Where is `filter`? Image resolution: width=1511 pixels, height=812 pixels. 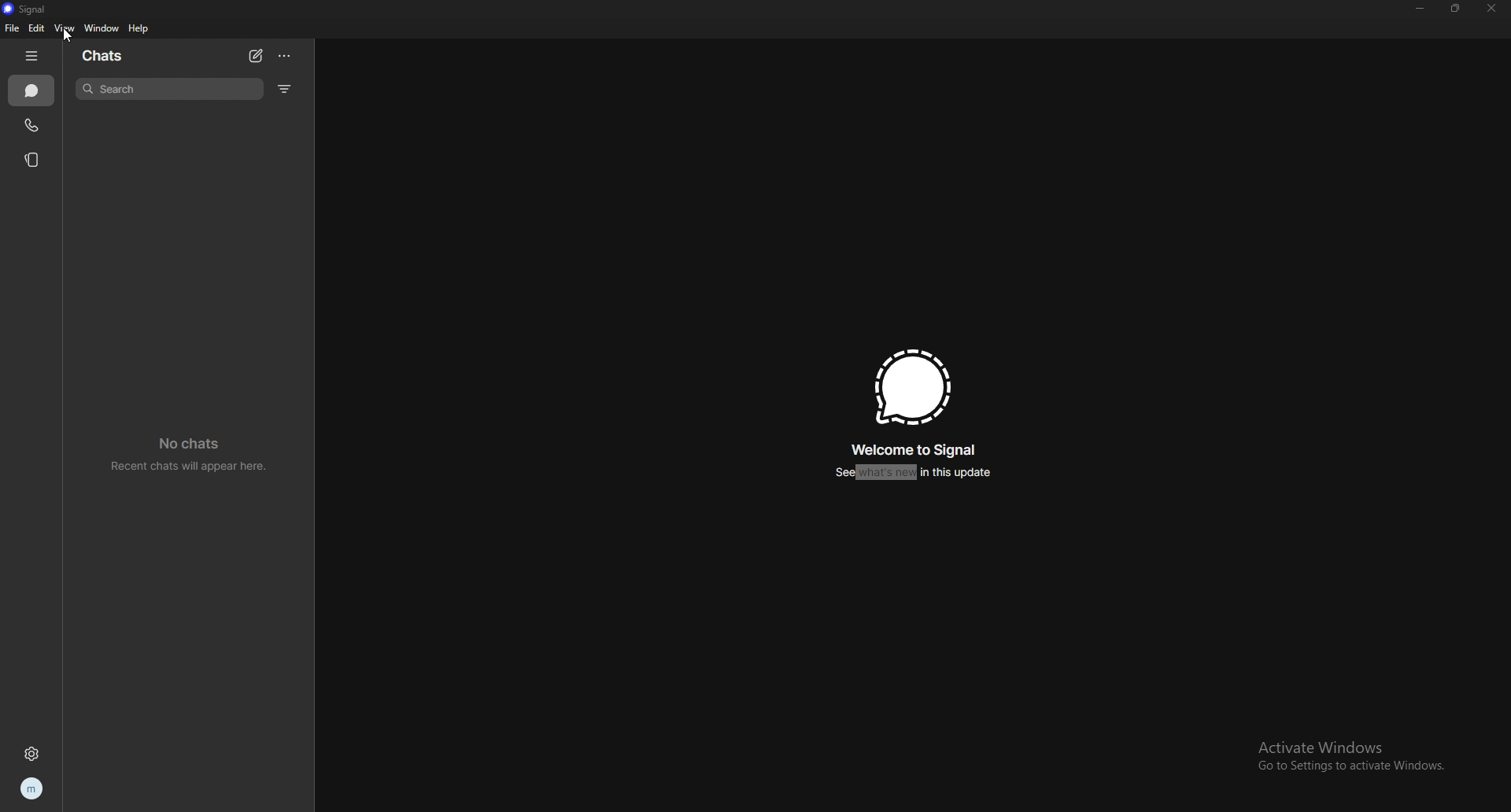
filter is located at coordinates (286, 88).